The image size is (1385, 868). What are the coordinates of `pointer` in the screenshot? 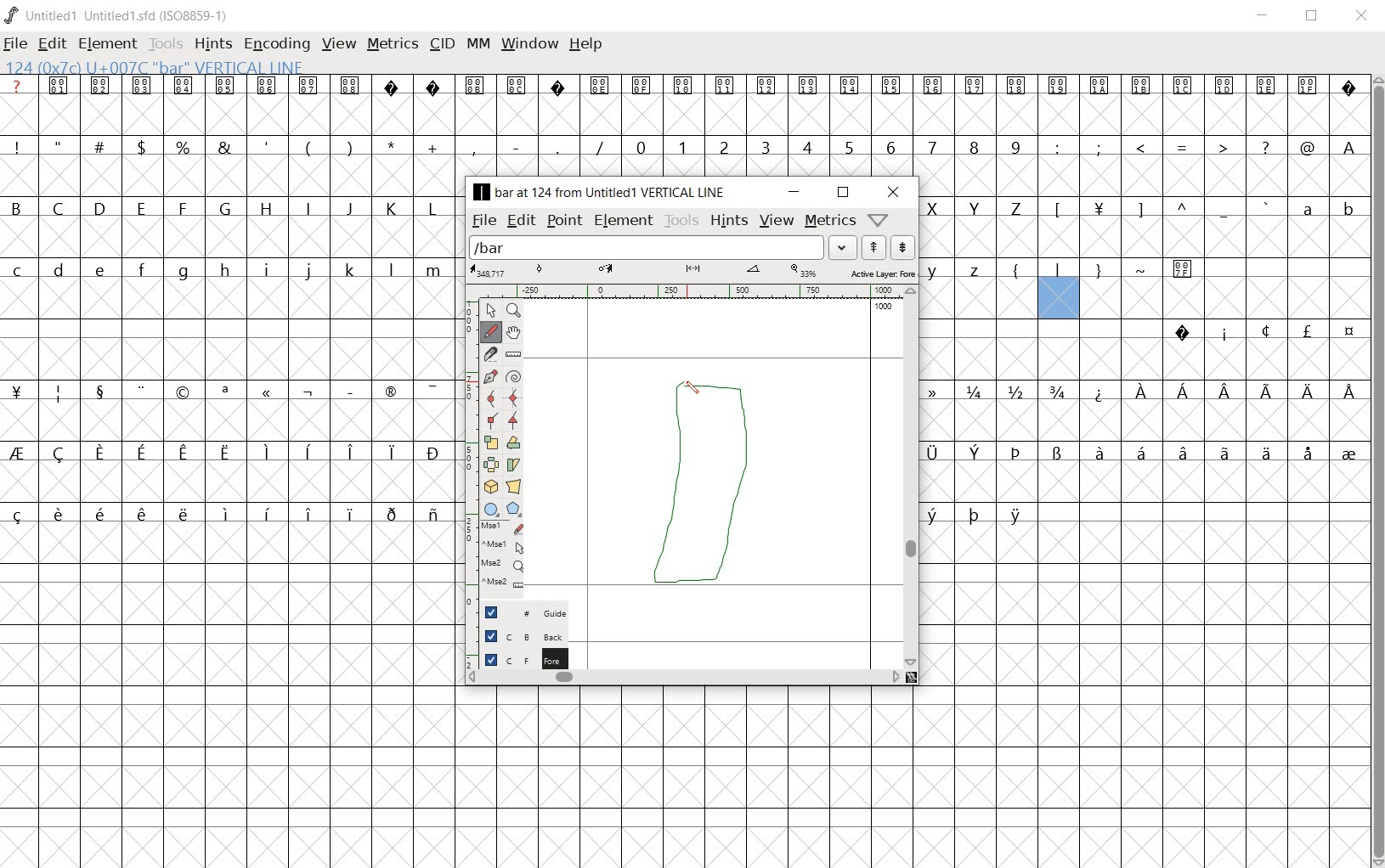 It's located at (489, 311).